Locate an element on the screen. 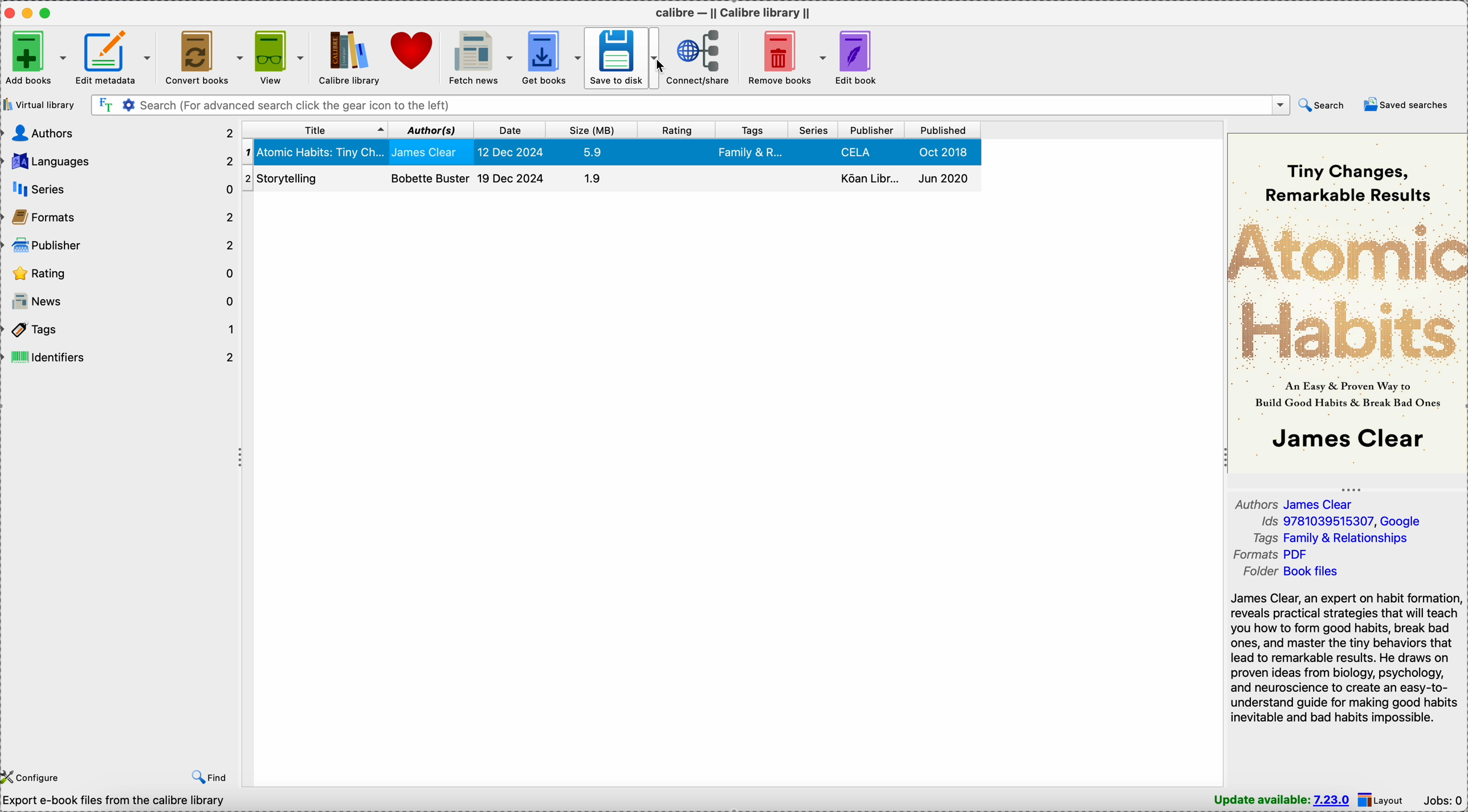  folder Book files is located at coordinates (1292, 572).